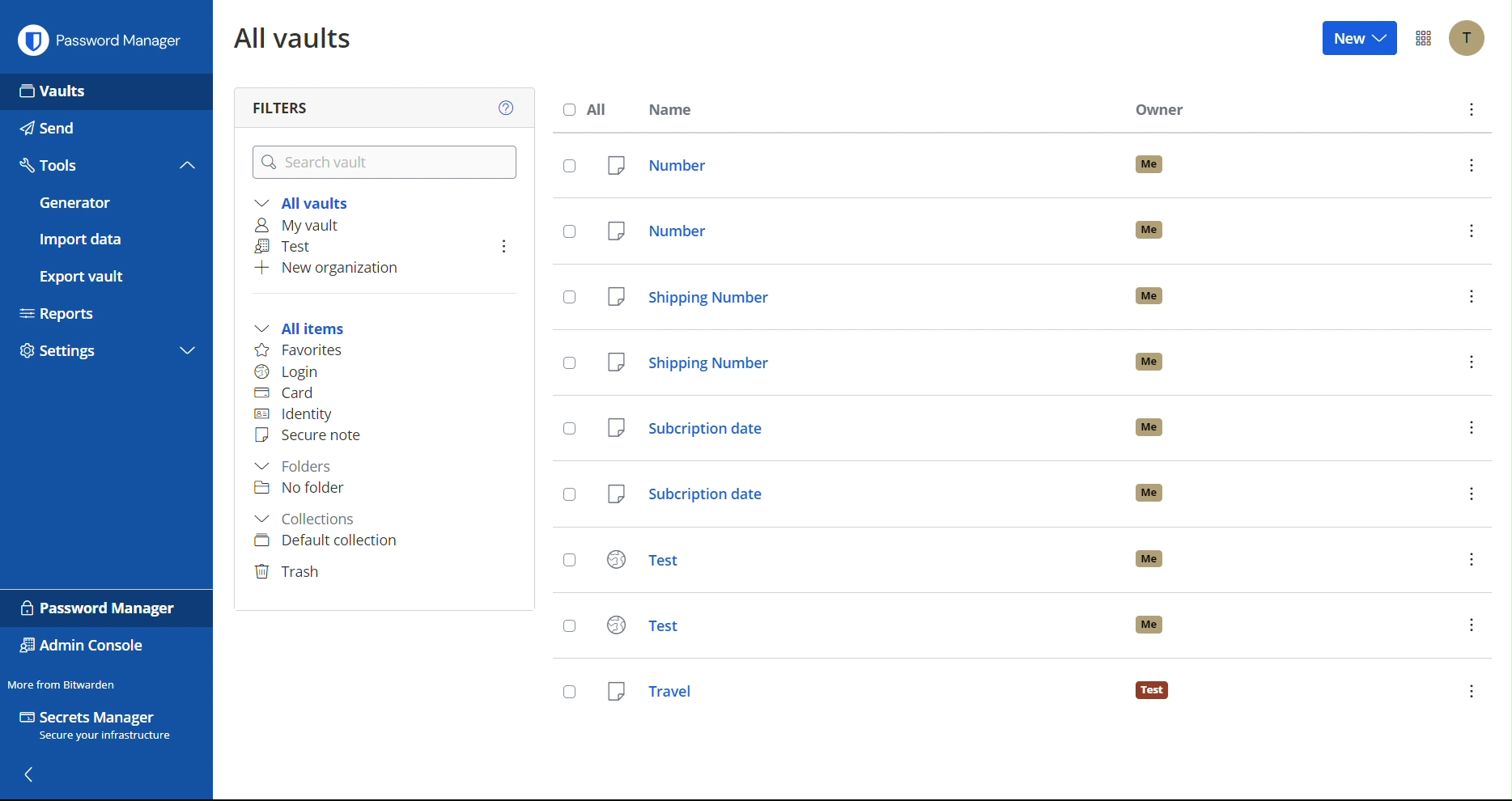  Describe the element at coordinates (389, 163) in the screenshot. I see `Search vault` at that location.